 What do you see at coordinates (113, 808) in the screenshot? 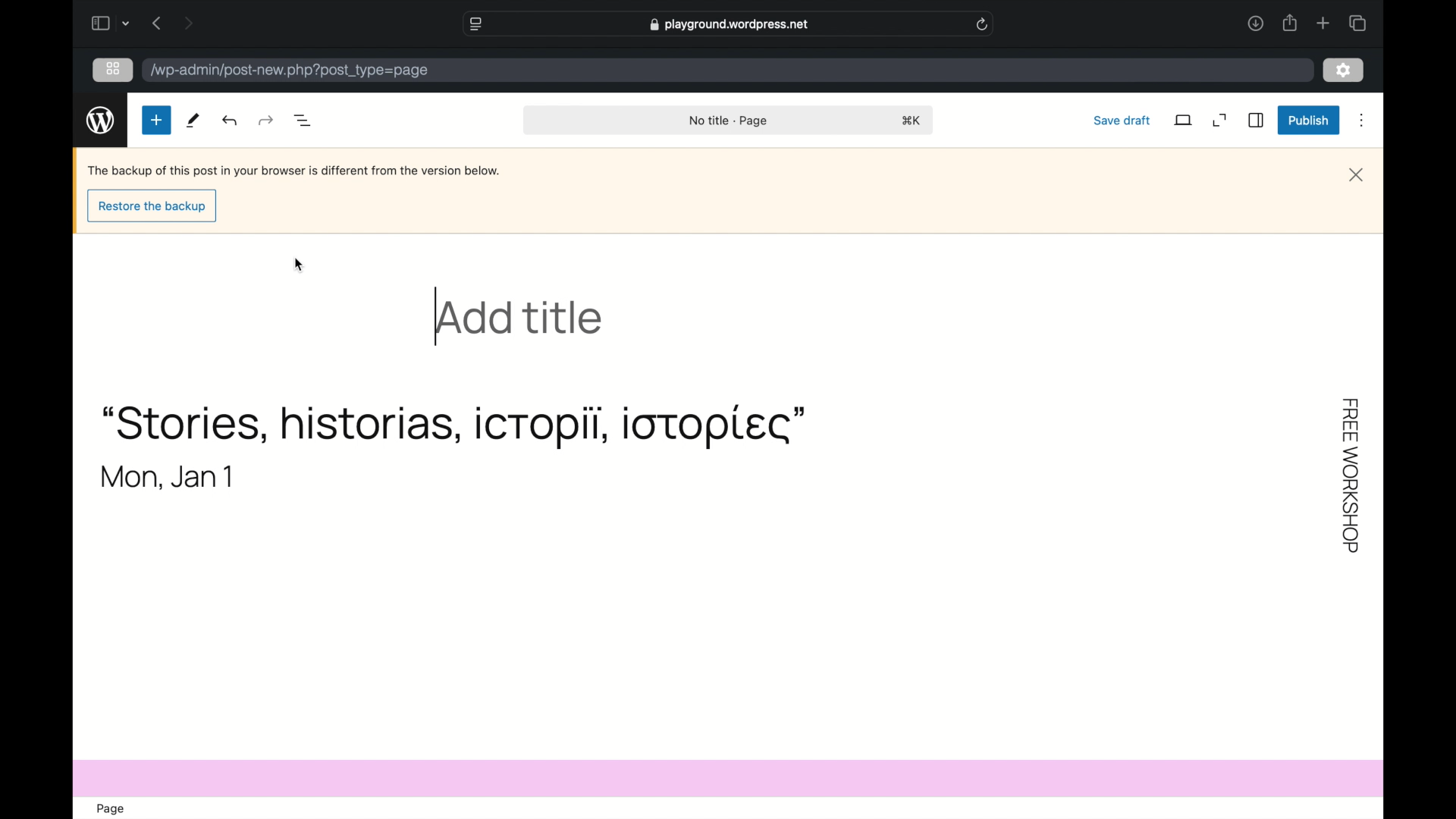
I see `page` at bounding box center [113, 808].